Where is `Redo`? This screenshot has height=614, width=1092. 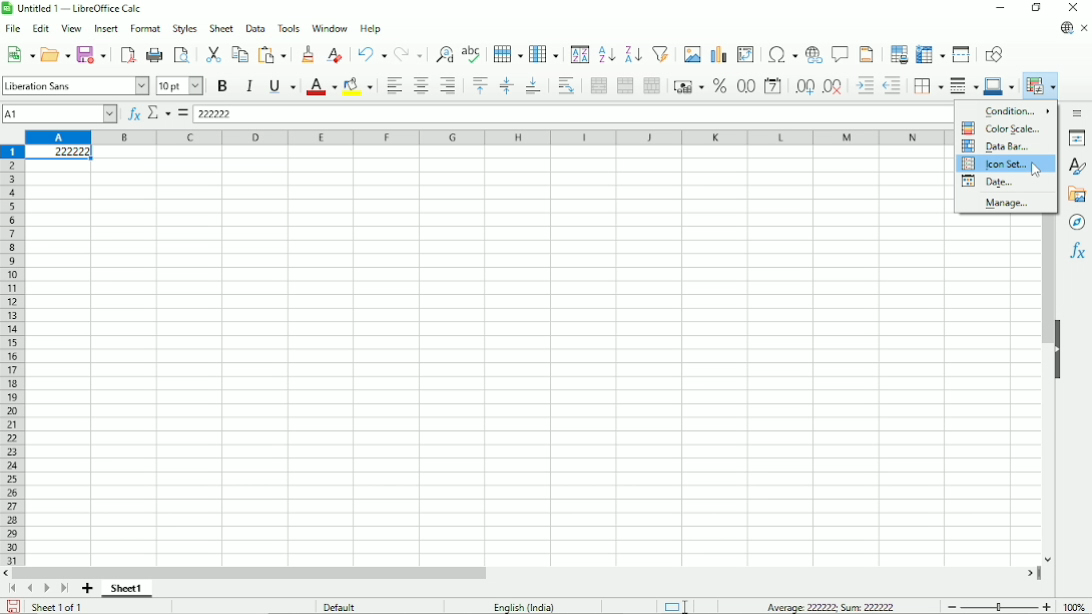 Redo is located at coordinates (410, 53).